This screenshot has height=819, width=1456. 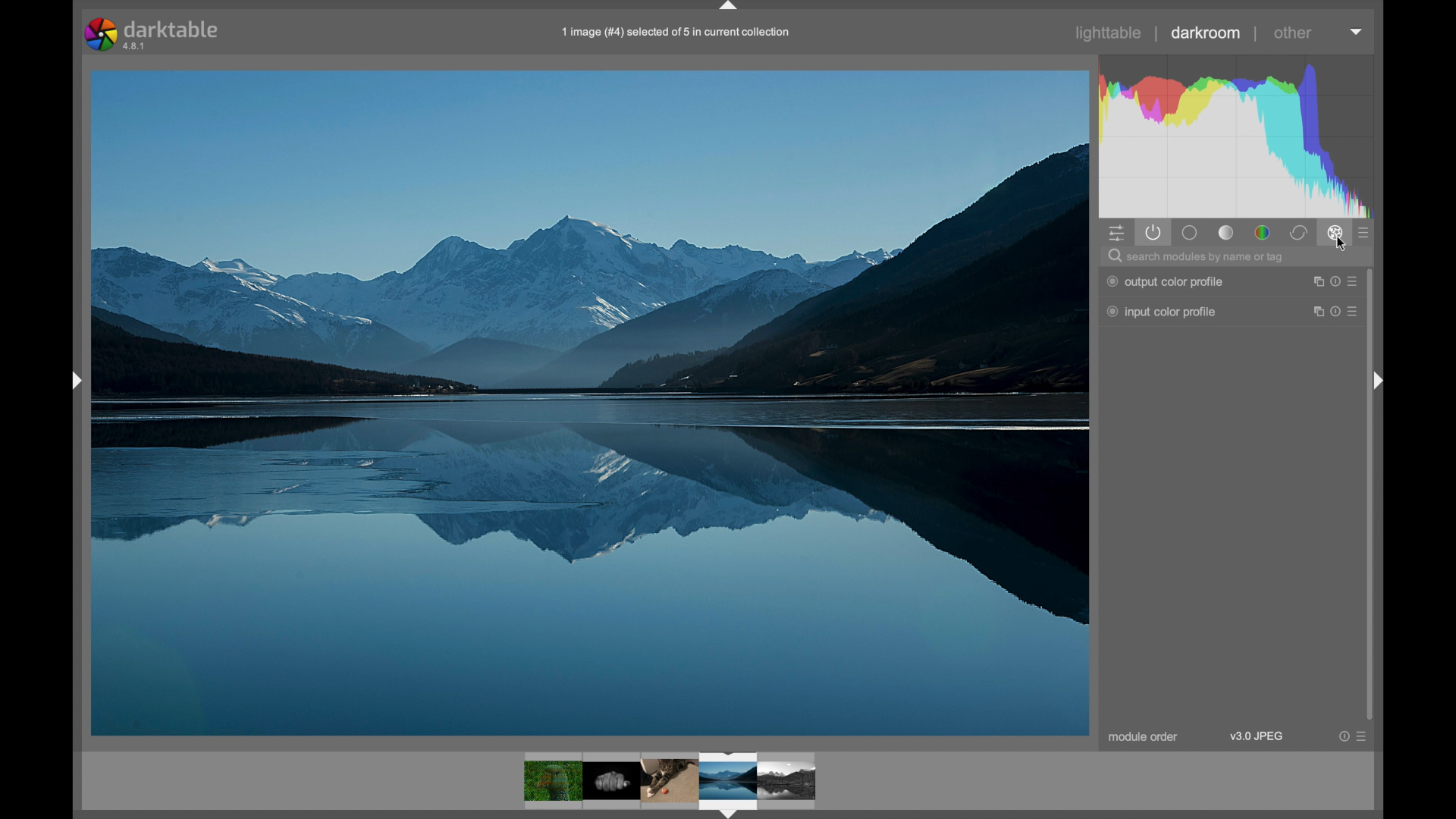 I want to click on base, so click(x=1191, y=232).